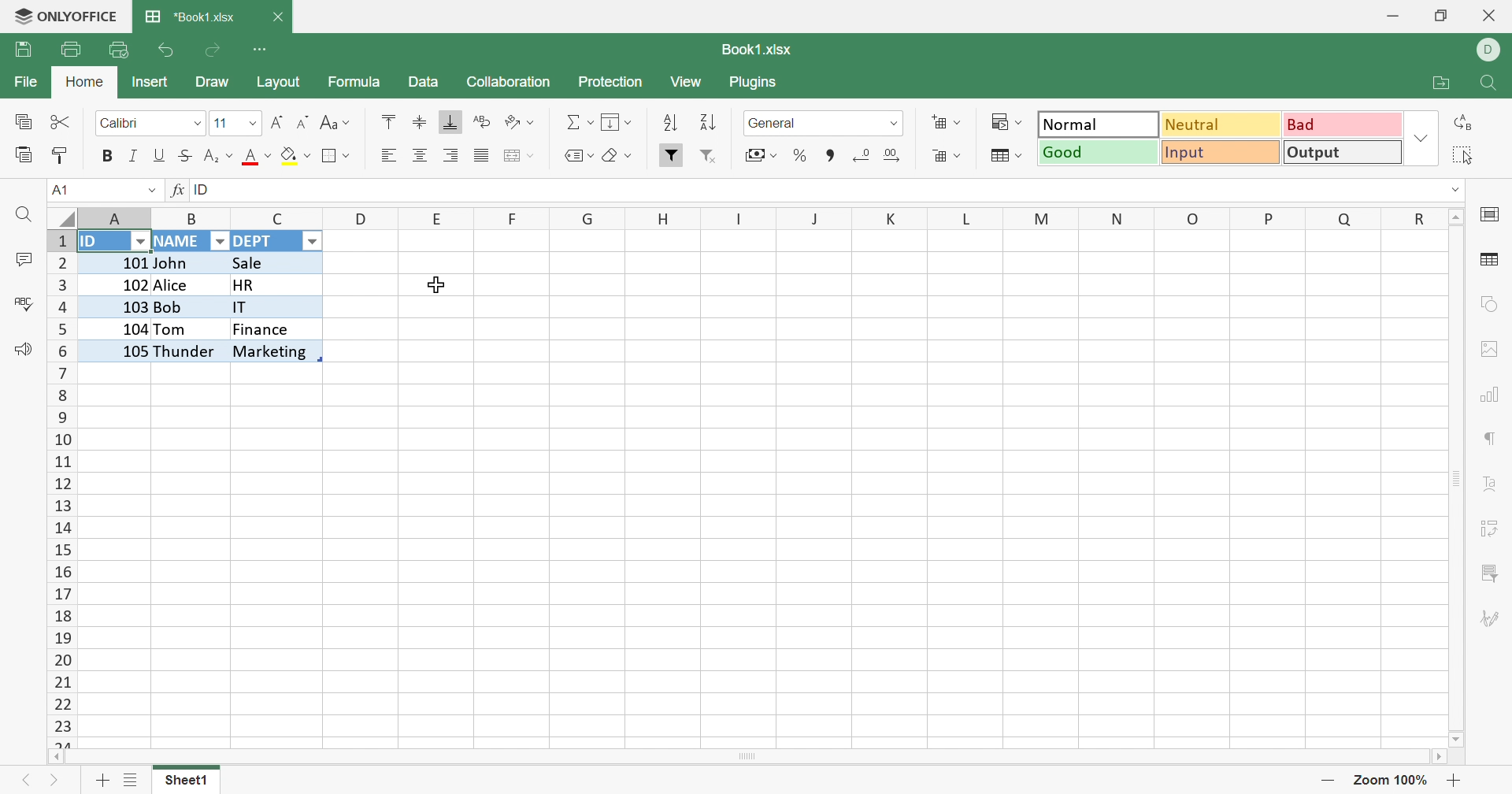  I want to click on File, so click(23, 83).